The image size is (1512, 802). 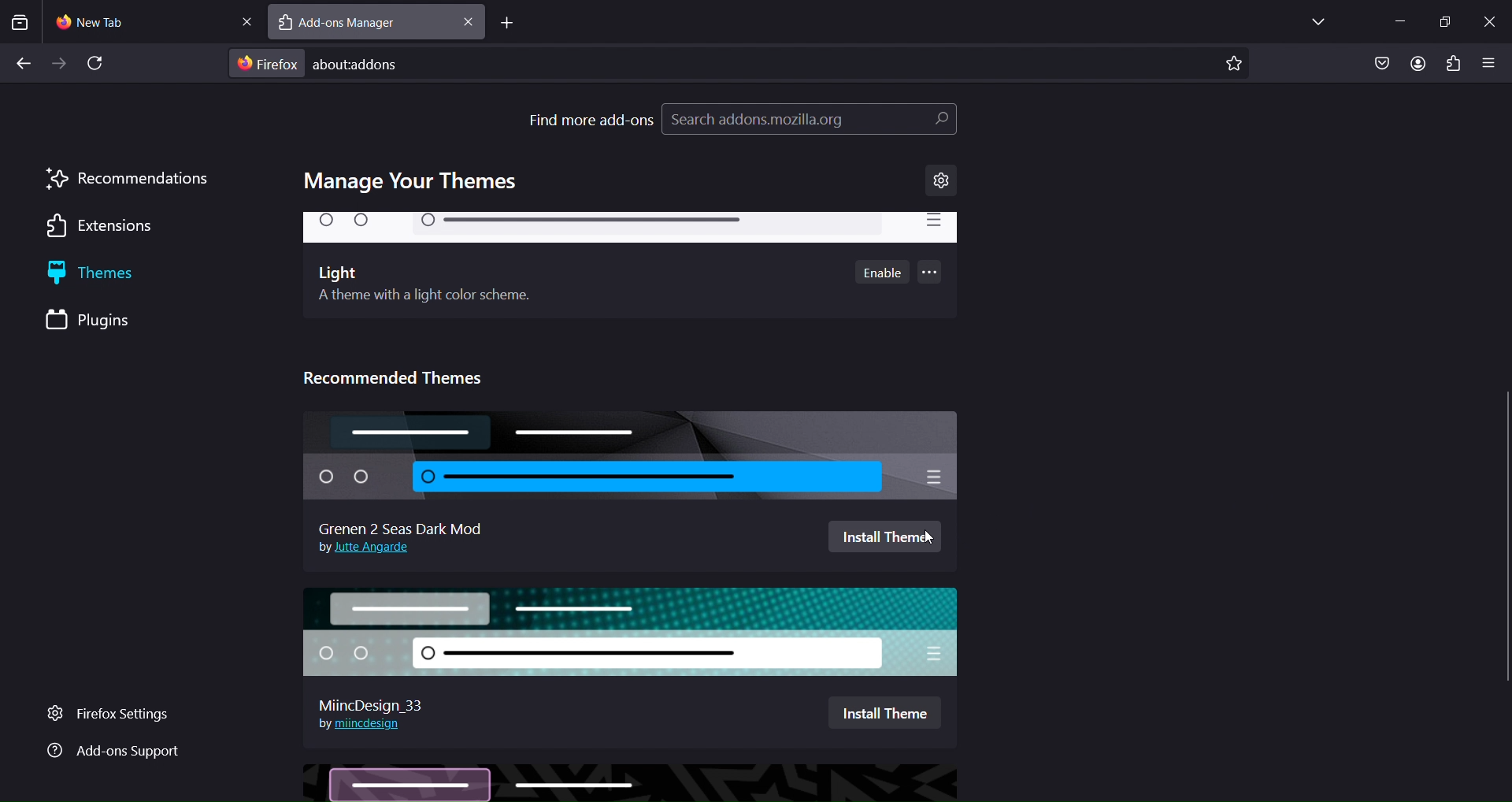 What do you see at coordinates (109, 22) in the screenshot?
I see `current tab` at bounding box center [109, 22].